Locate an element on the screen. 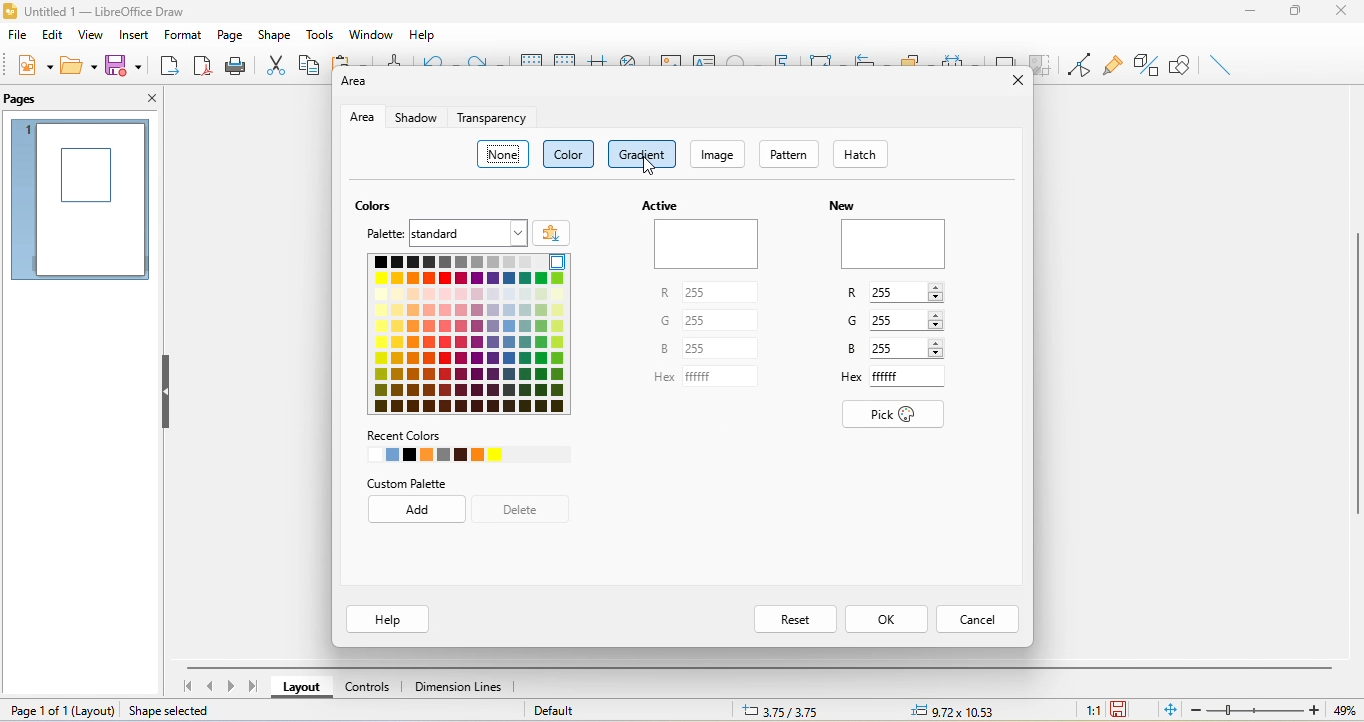  recent colors is located at coordinates (449, 447).